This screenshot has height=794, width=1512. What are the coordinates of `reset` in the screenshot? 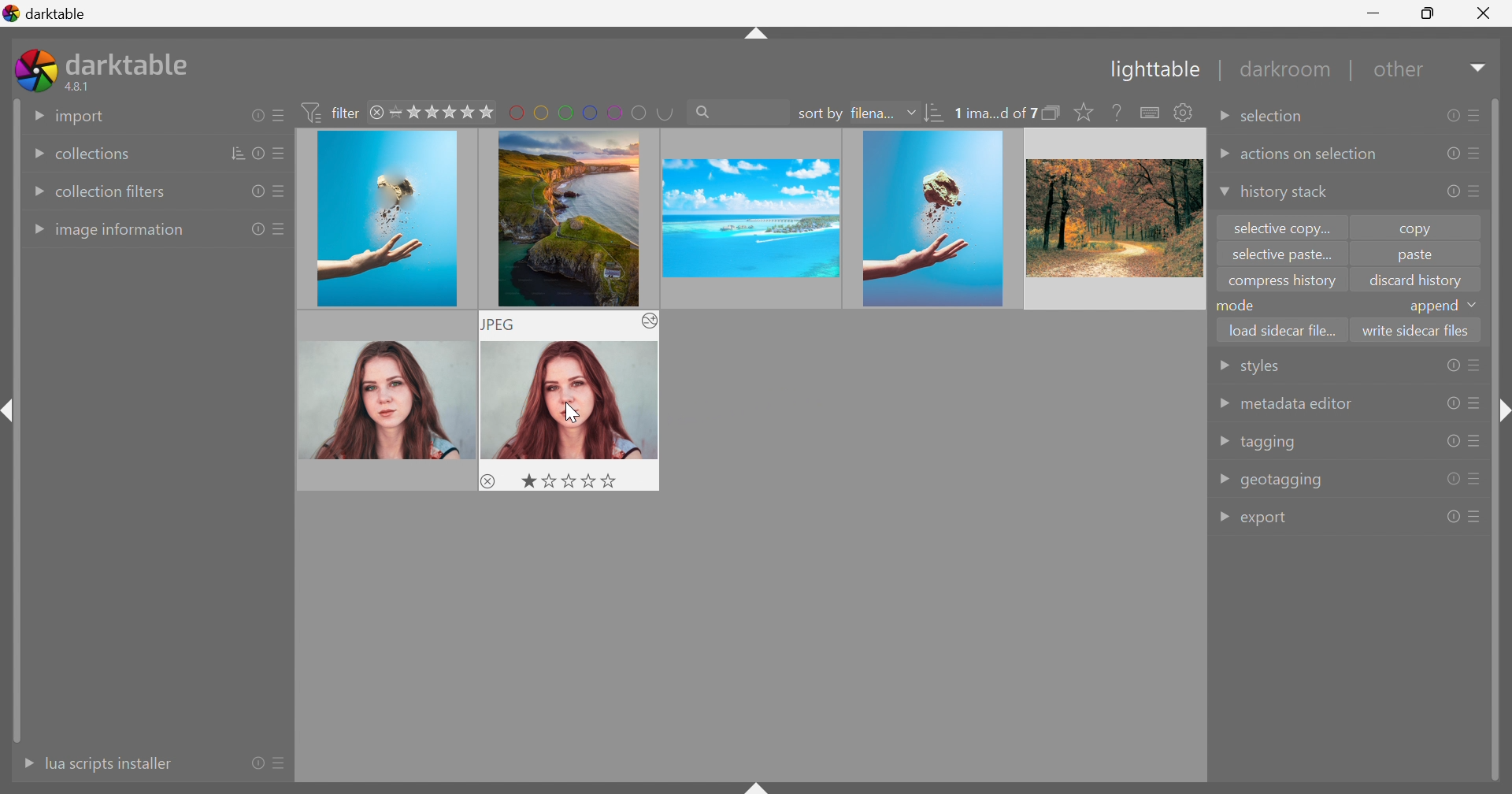 It's located at (254, 192).